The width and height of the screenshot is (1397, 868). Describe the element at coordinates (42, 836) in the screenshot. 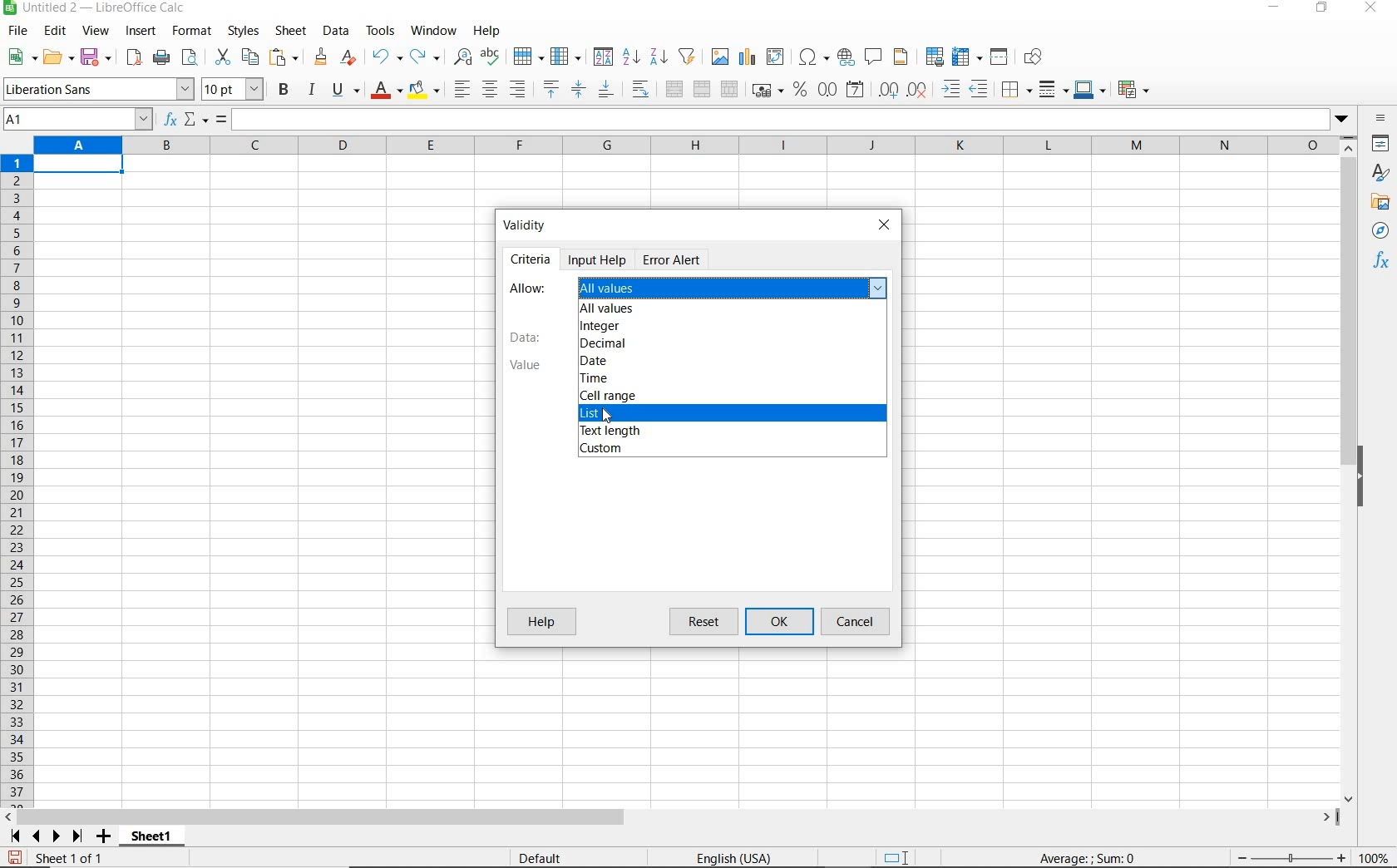

I see `scroll next` at that location.